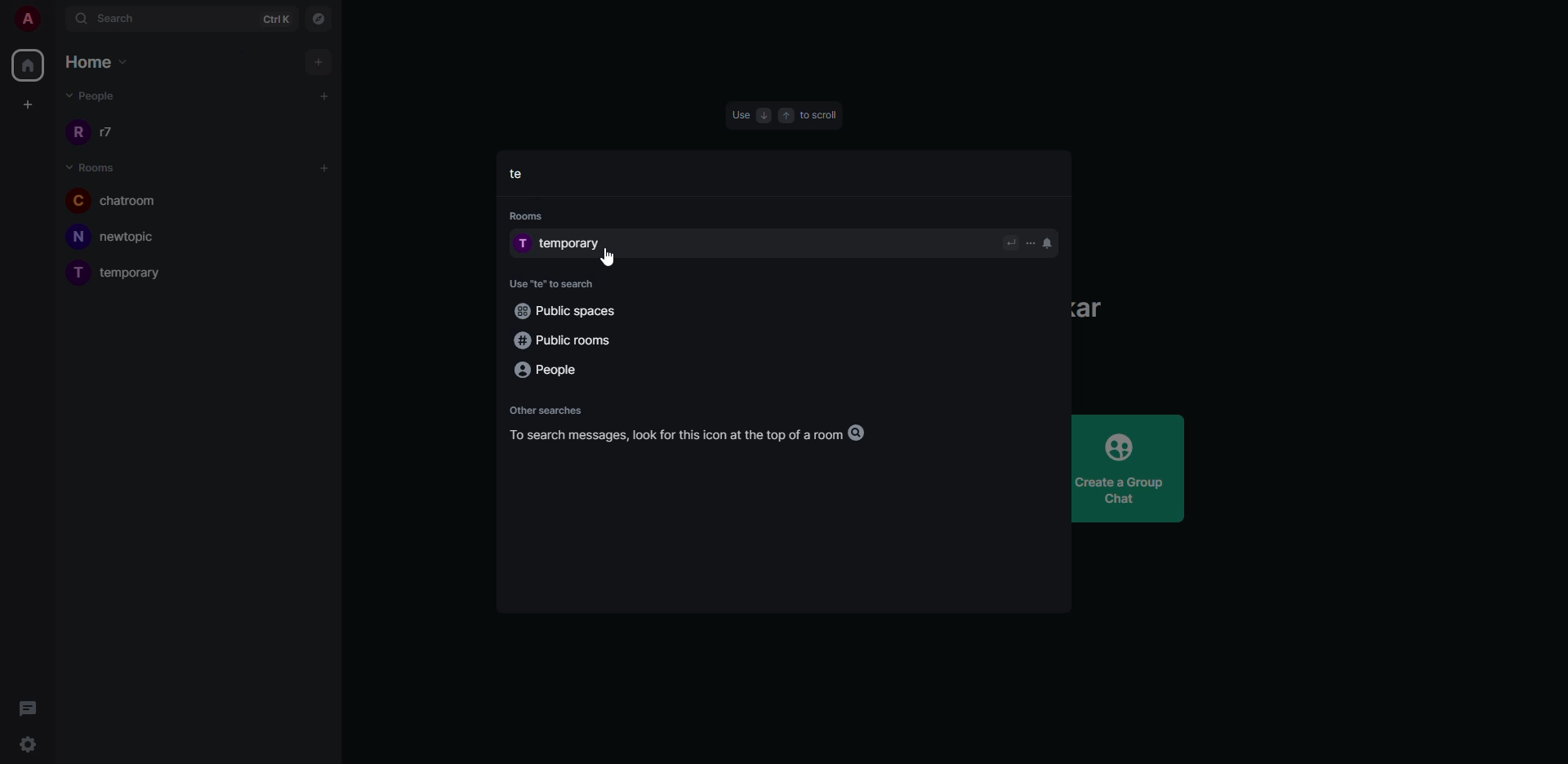 Image resolution: width=1568 pixels, height=764 pixels. Describe the element at coordinates (1092, 309) in the screenshot. I see `Sarkar` at that location.